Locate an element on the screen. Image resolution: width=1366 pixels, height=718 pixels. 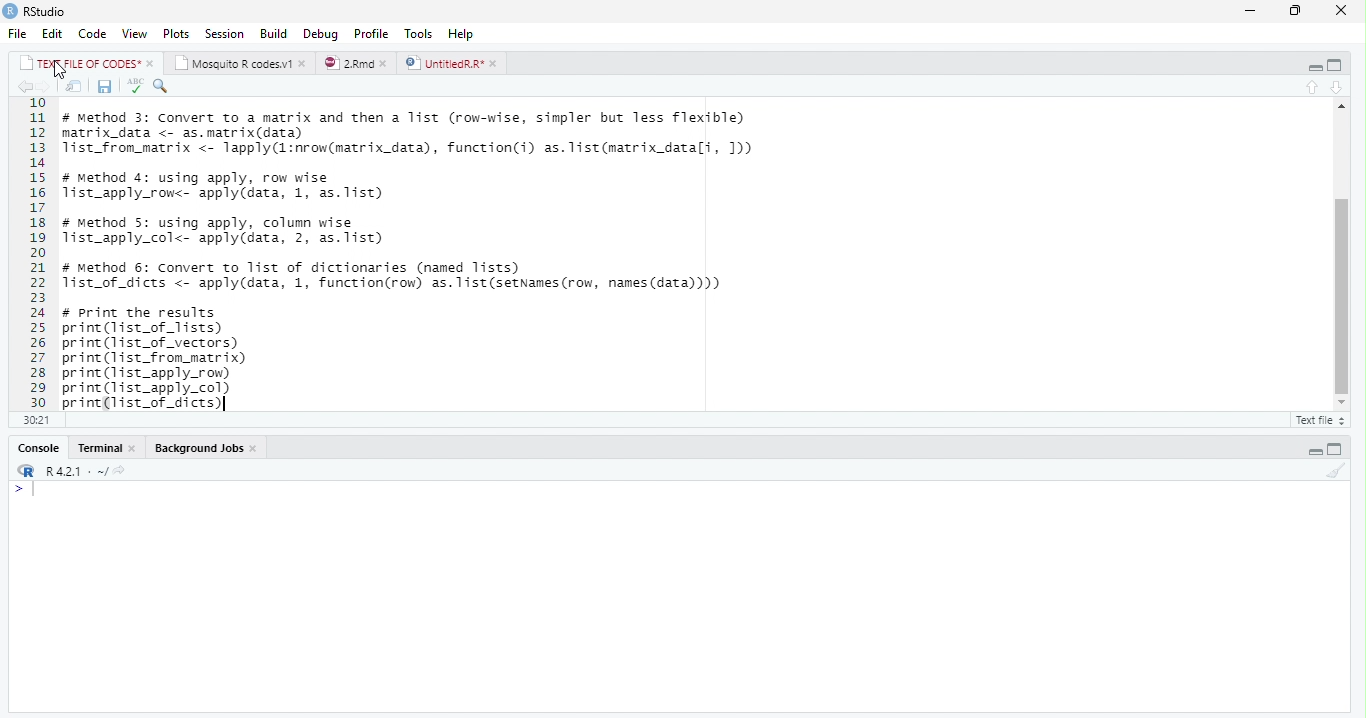
Full Height is located at coordinates (1338, 65).